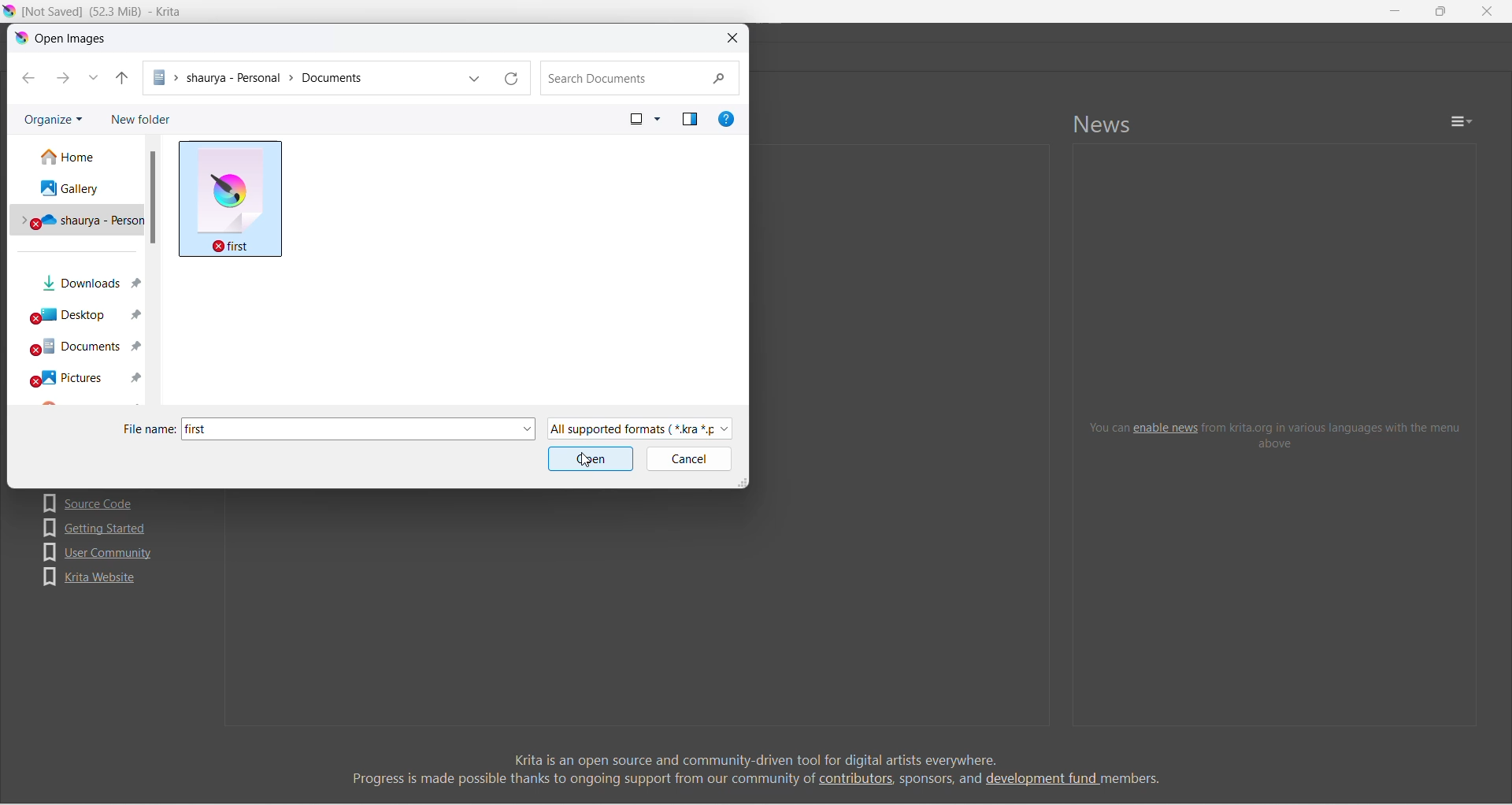 The width and height of the screenshot is (1512, 805). Describe the element at coordinates (90, 577) in the screenshot. I see `krita website` at that location.